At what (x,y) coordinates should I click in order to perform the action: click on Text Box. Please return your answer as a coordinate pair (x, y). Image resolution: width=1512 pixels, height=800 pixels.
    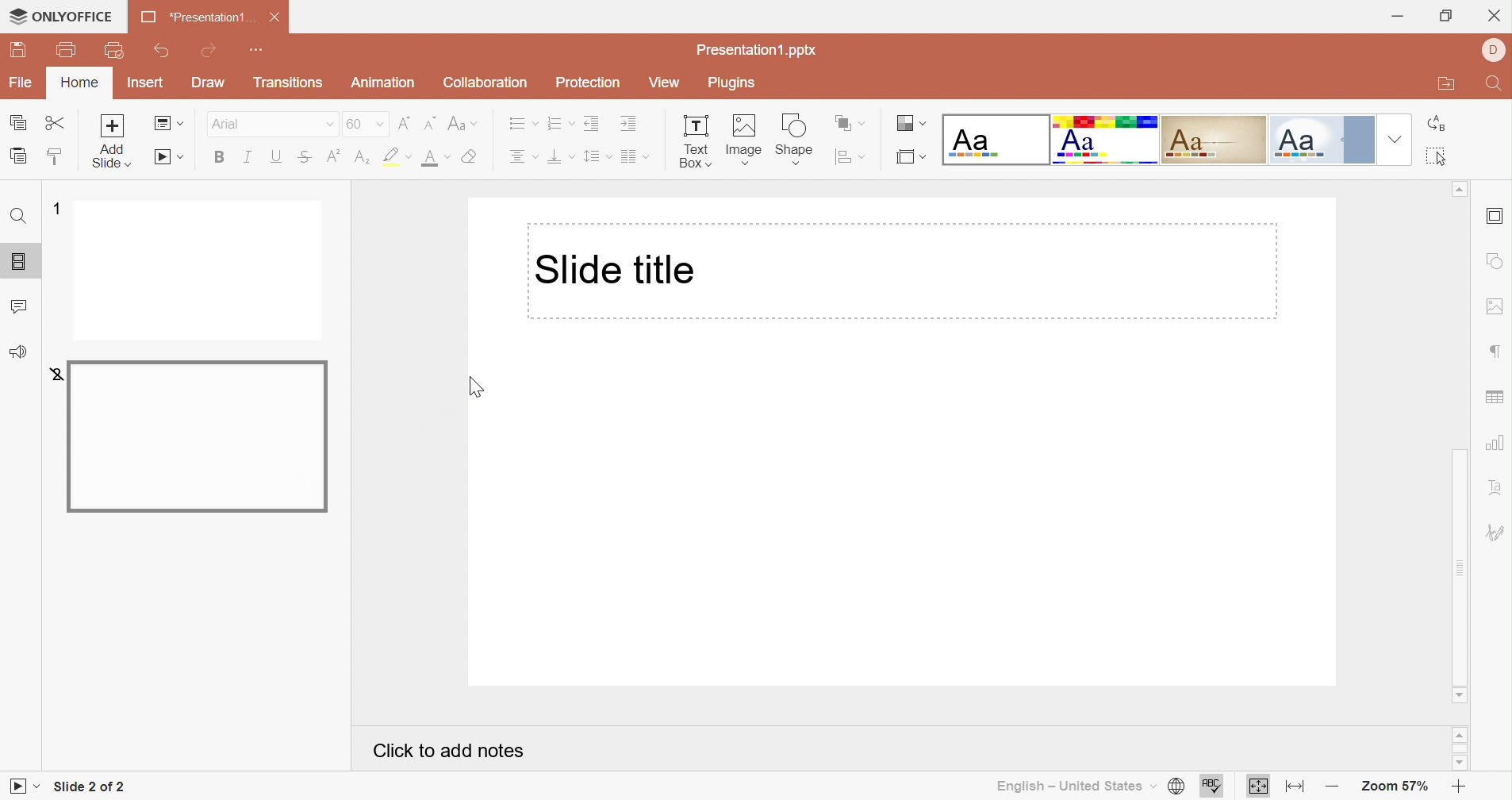
    Looking at the image, I should click on (693, 142).